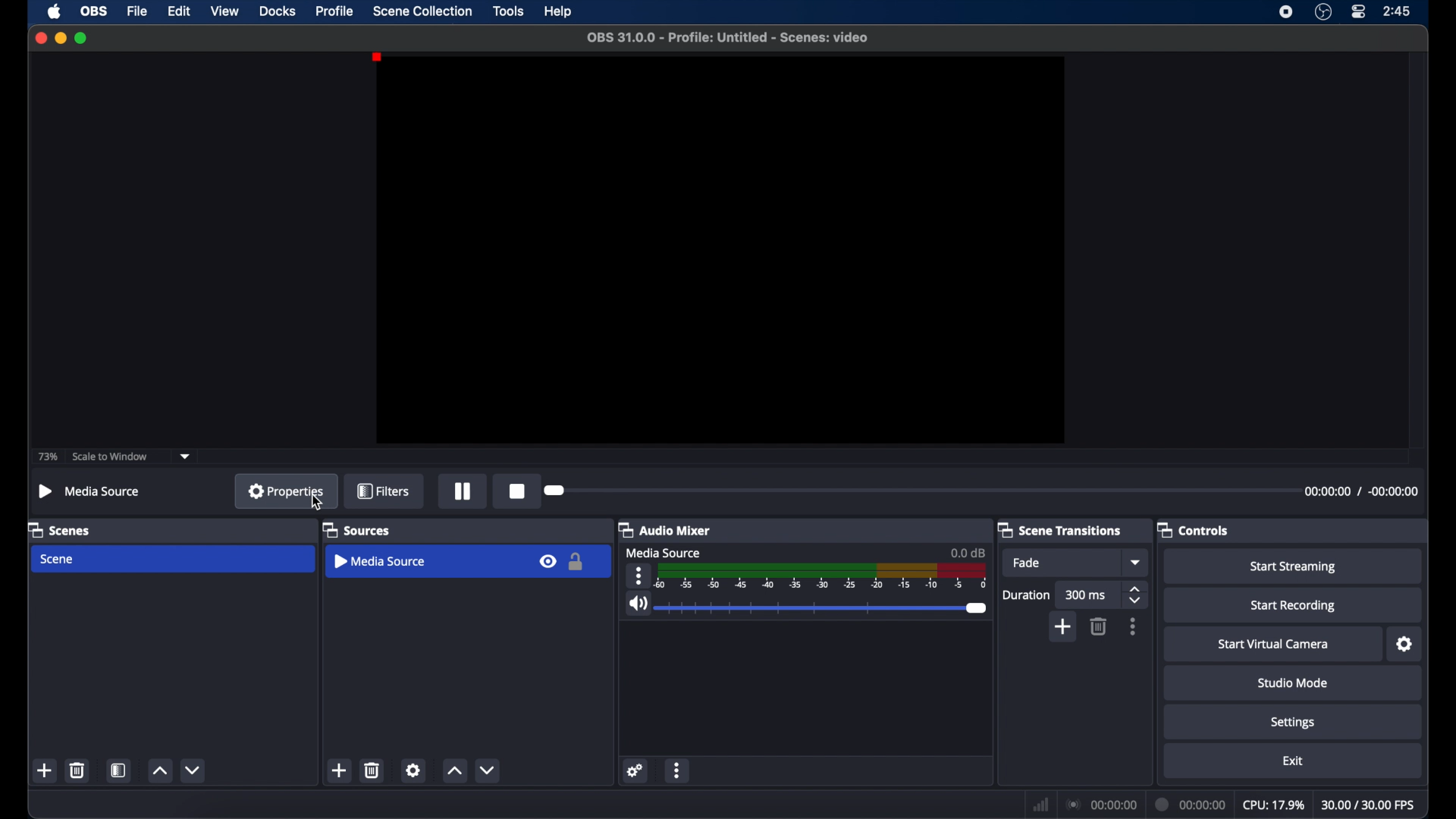  Describe the element at coordinates (413, 770) in the screenshot. I see `settings` at that location.